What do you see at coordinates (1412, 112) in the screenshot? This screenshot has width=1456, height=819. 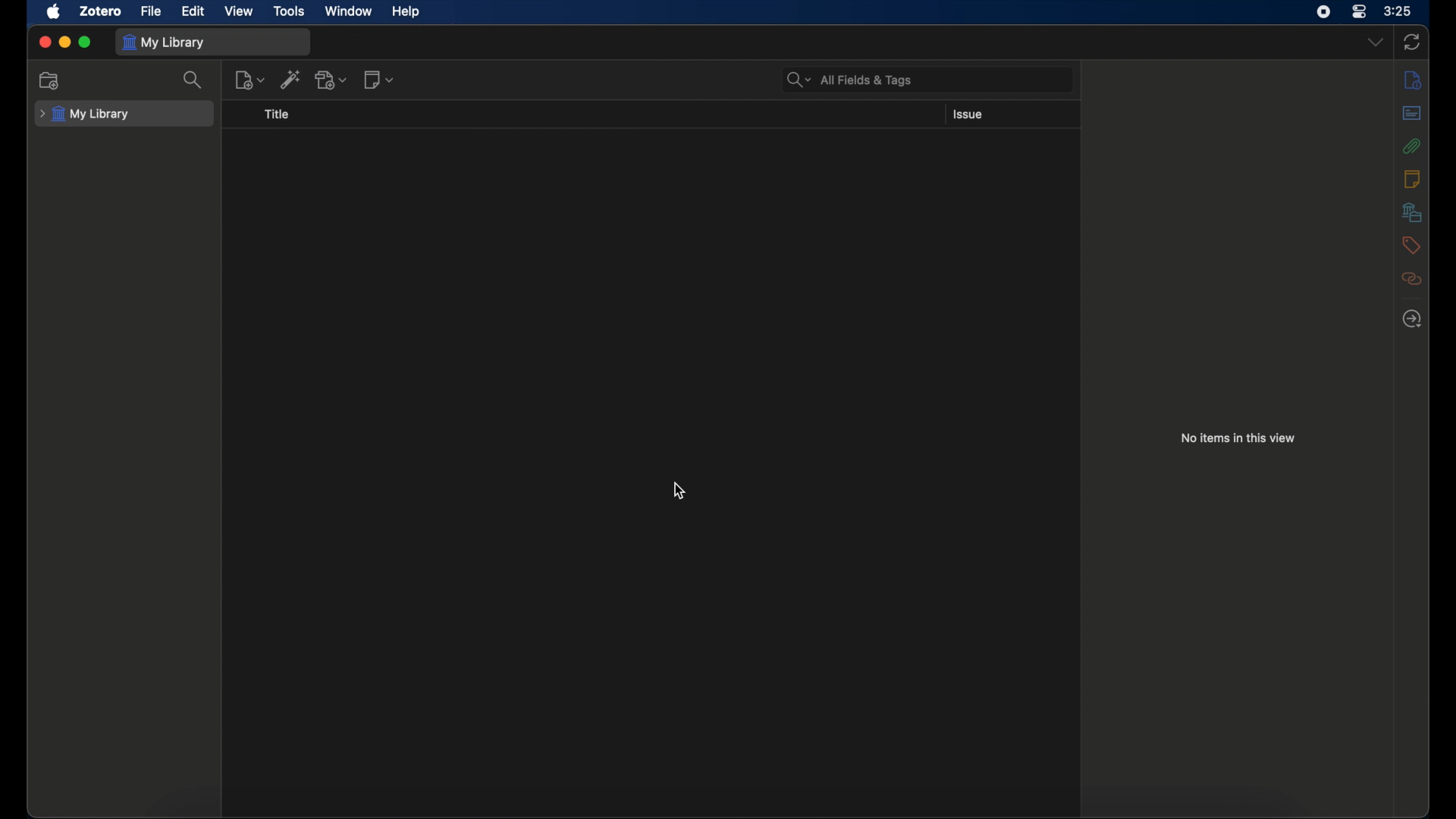 I see `abstract` at bounding box center [1412, 112].